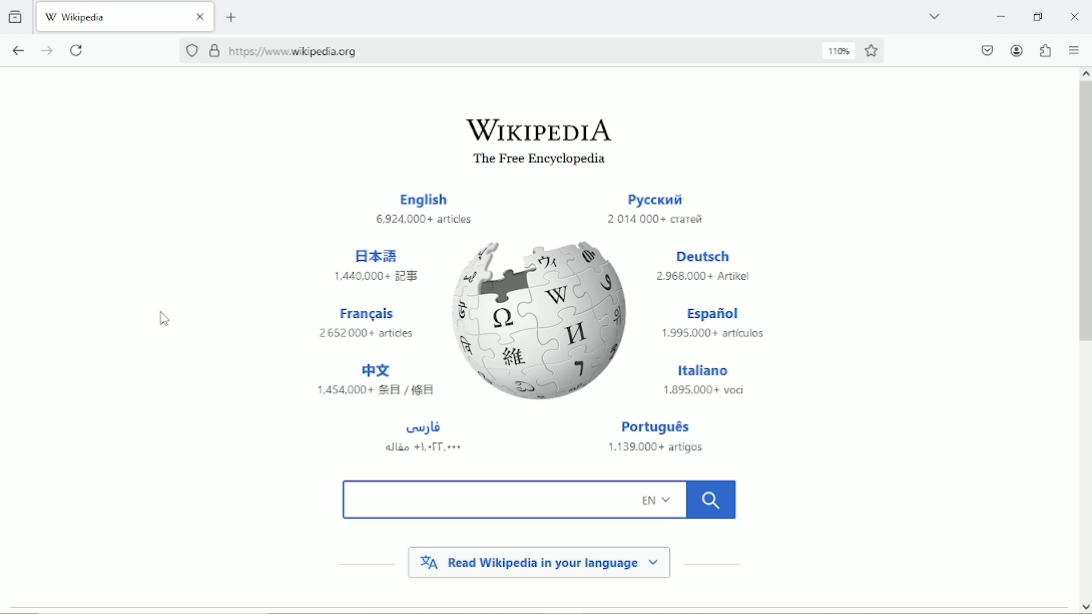  Describe the element at coordinates (932, 17) in the screenshot. I see `List all tabs` at that location.